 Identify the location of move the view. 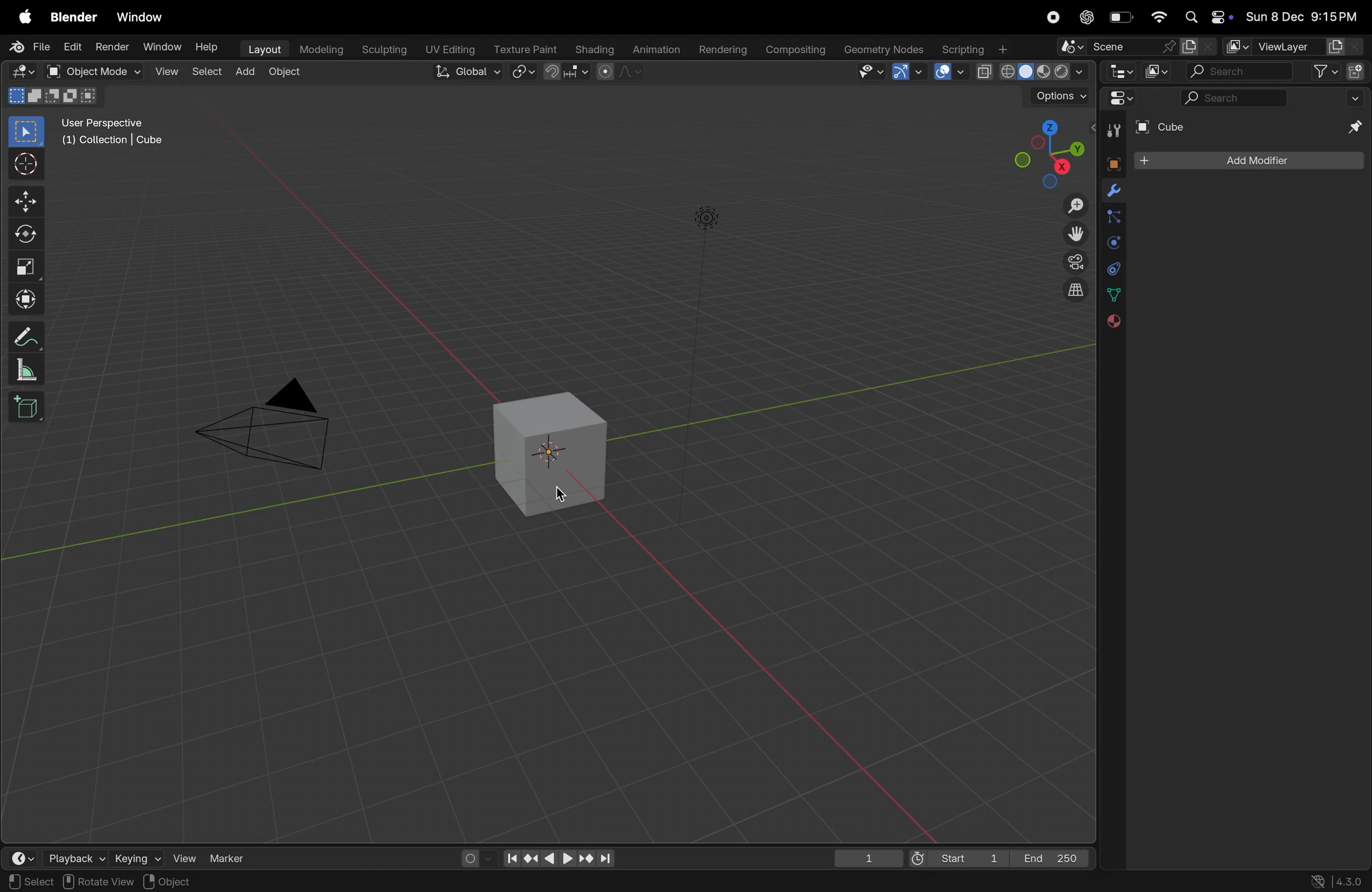
(1073, 233).